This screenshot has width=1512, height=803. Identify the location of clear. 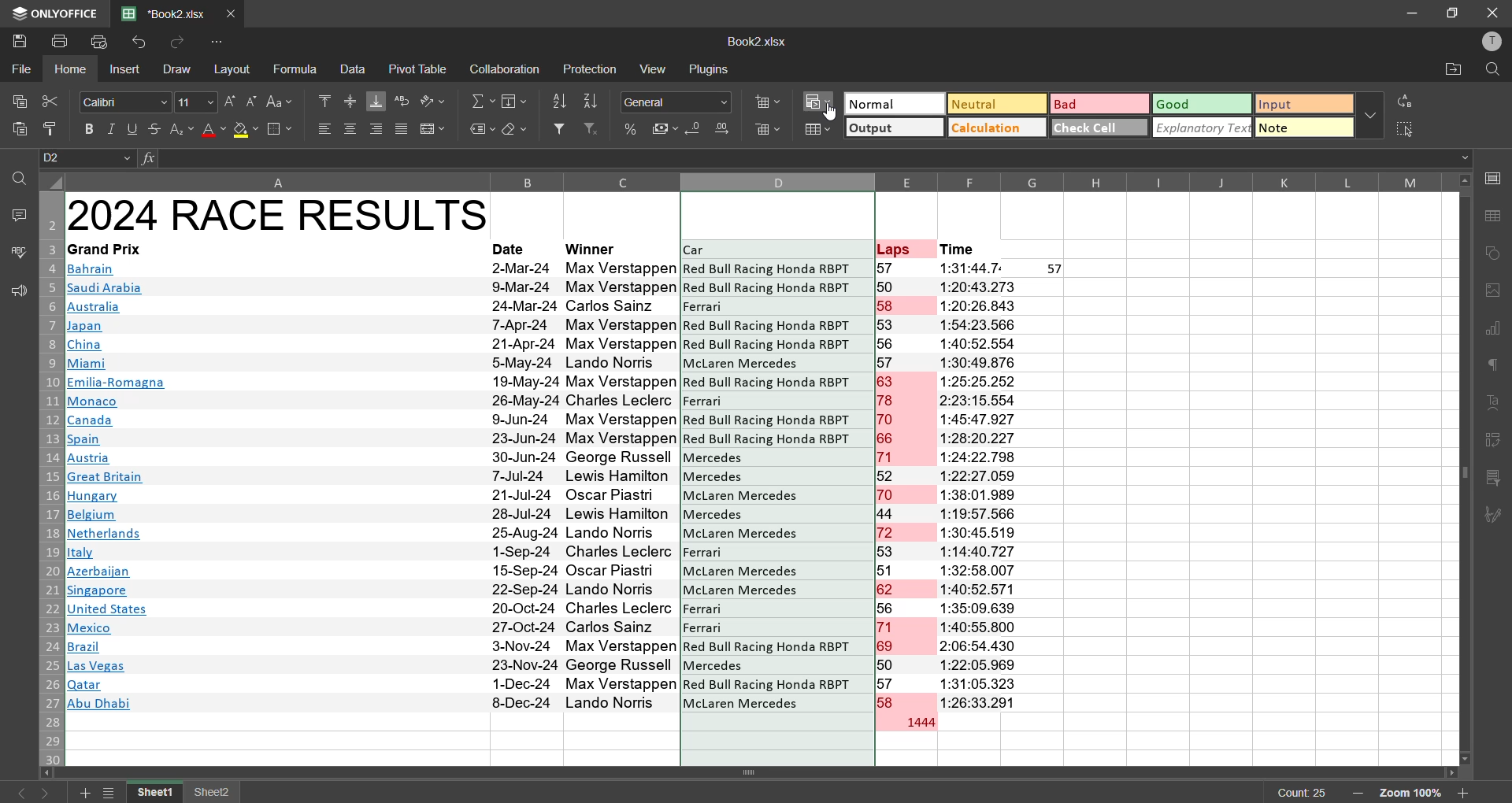
(515, 130).